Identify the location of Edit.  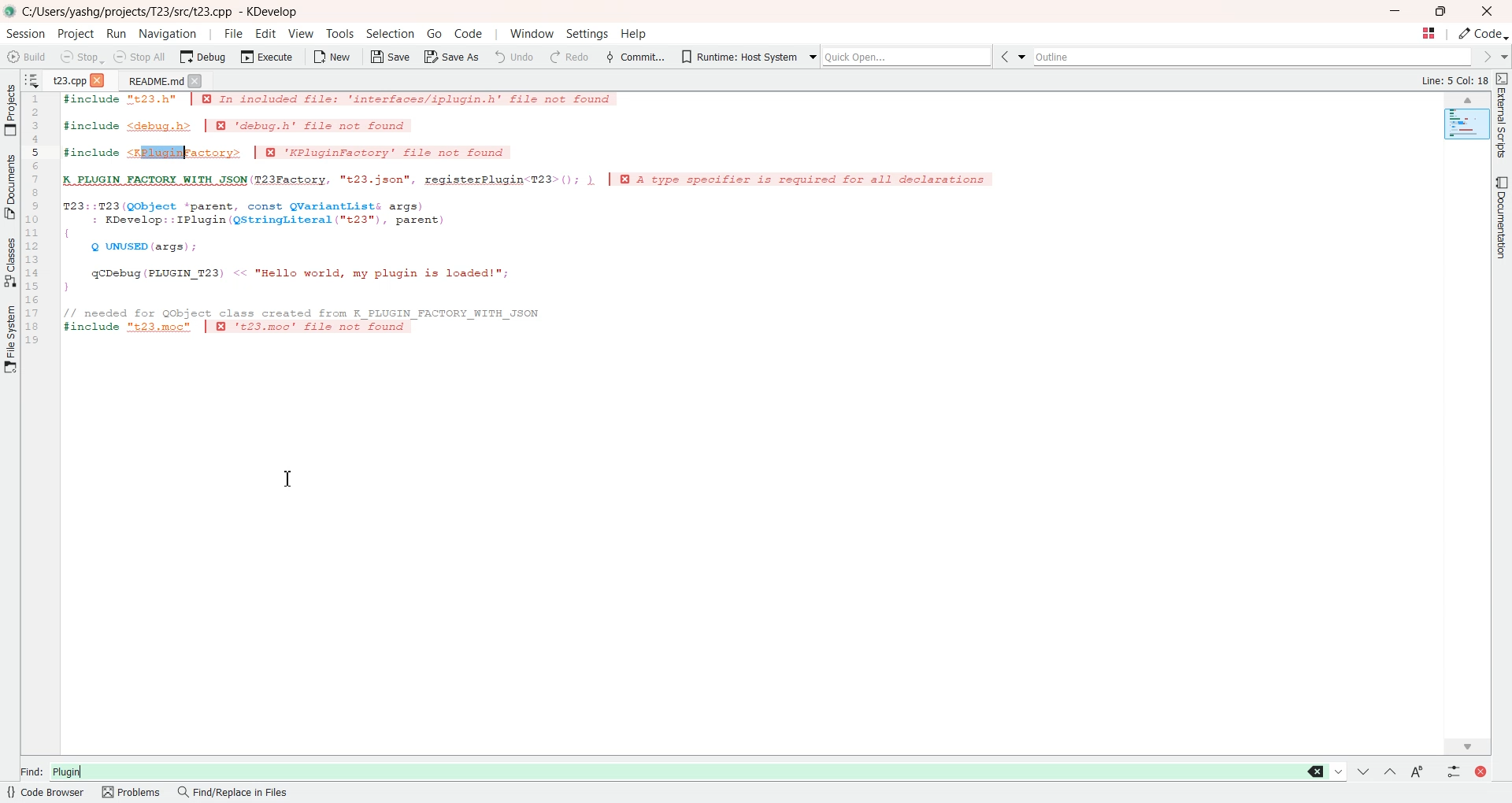
(267, 33).